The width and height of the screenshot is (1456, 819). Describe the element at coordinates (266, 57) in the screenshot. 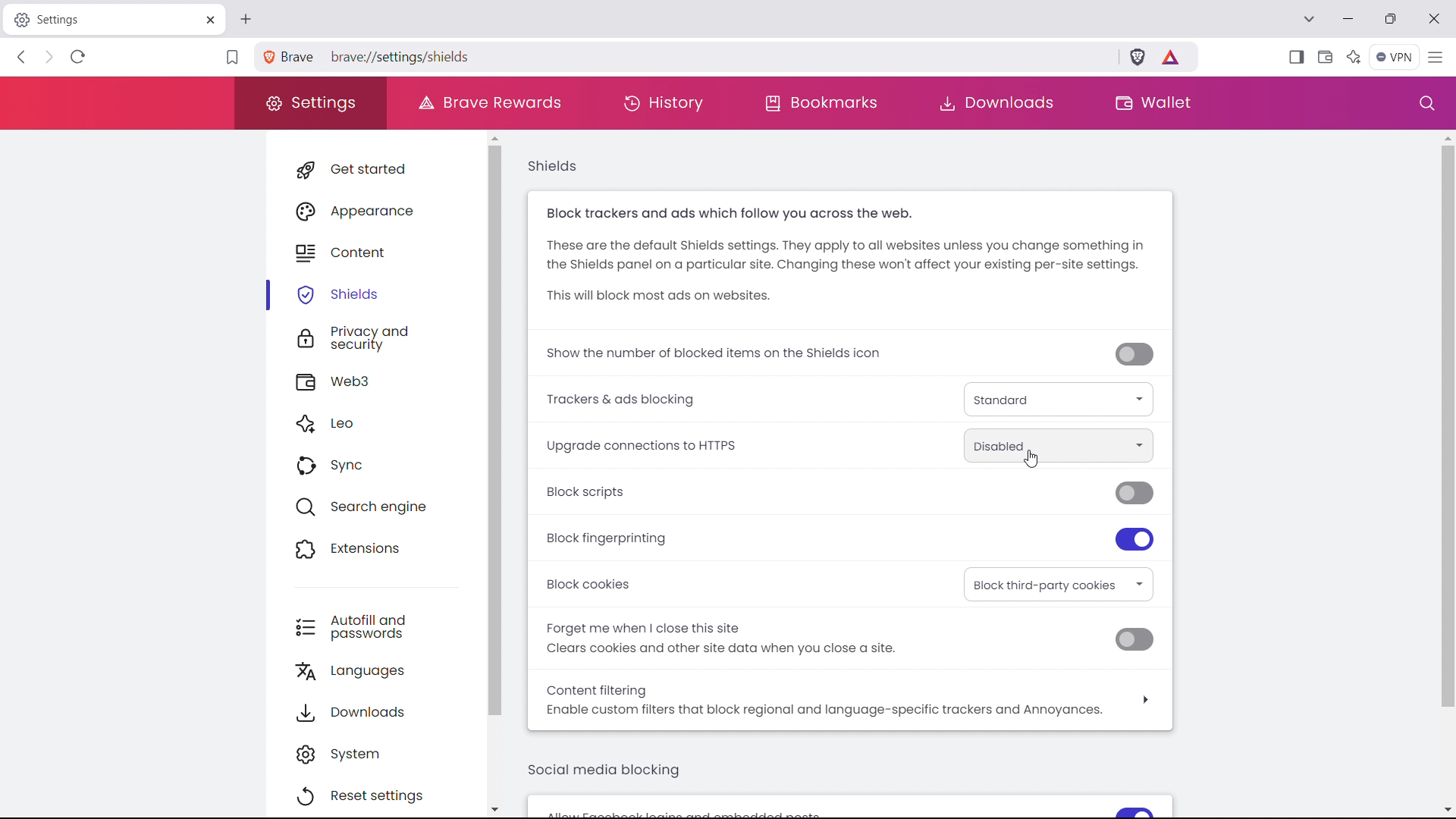

I see `view site information` at that location.